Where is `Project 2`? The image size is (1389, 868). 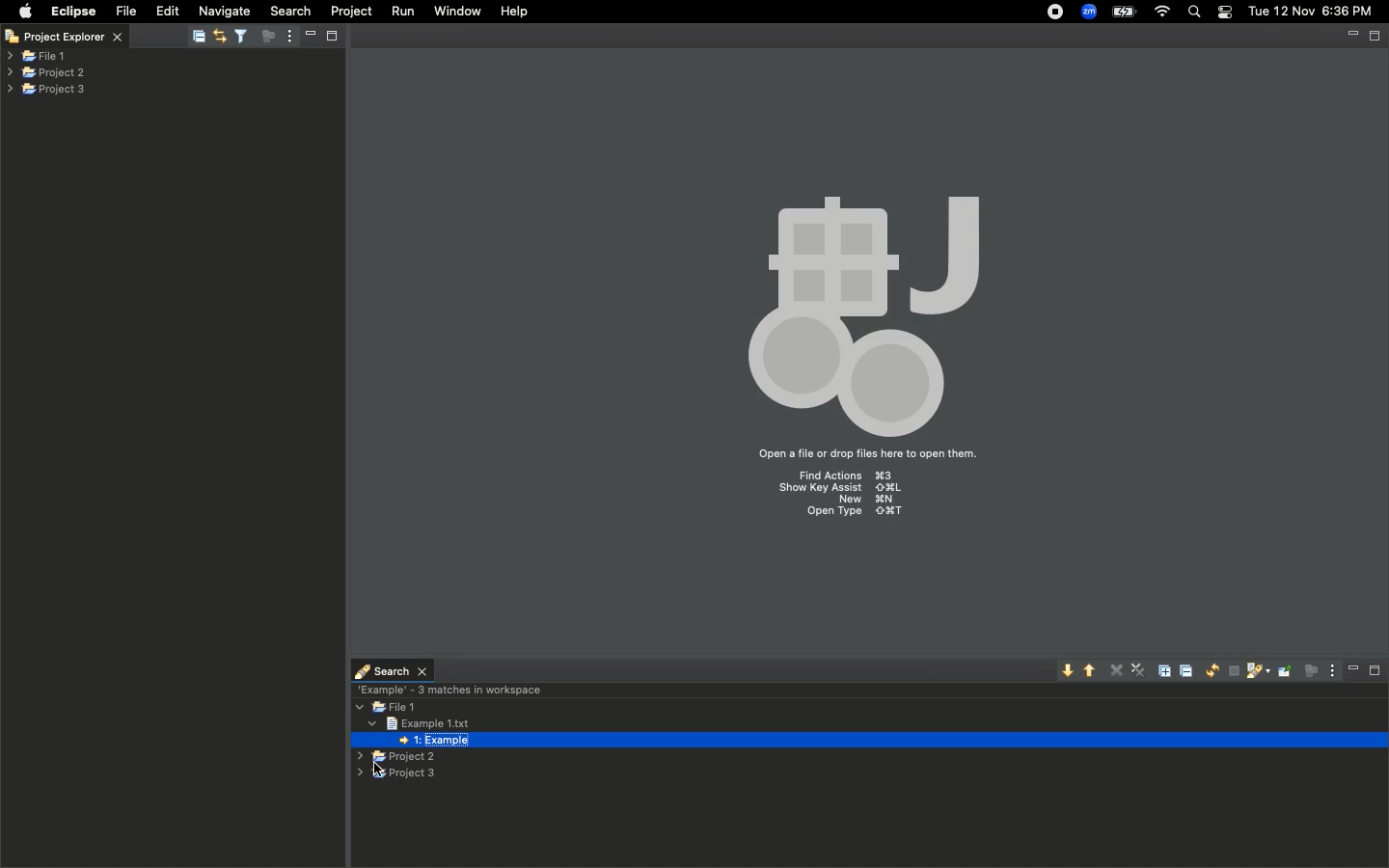 Project 2 is located at coordinates (393, 758).